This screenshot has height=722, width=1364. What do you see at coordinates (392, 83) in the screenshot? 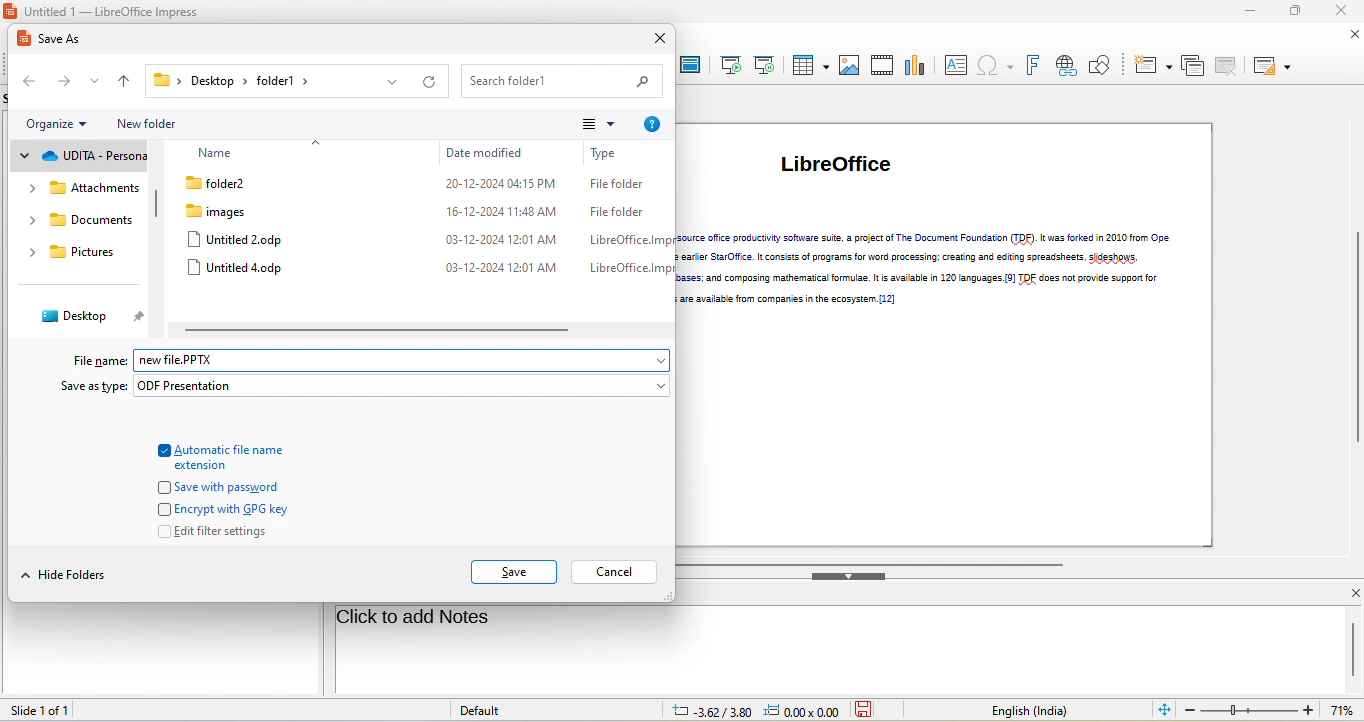
I see `previous location` at bounding box center [392, 83].